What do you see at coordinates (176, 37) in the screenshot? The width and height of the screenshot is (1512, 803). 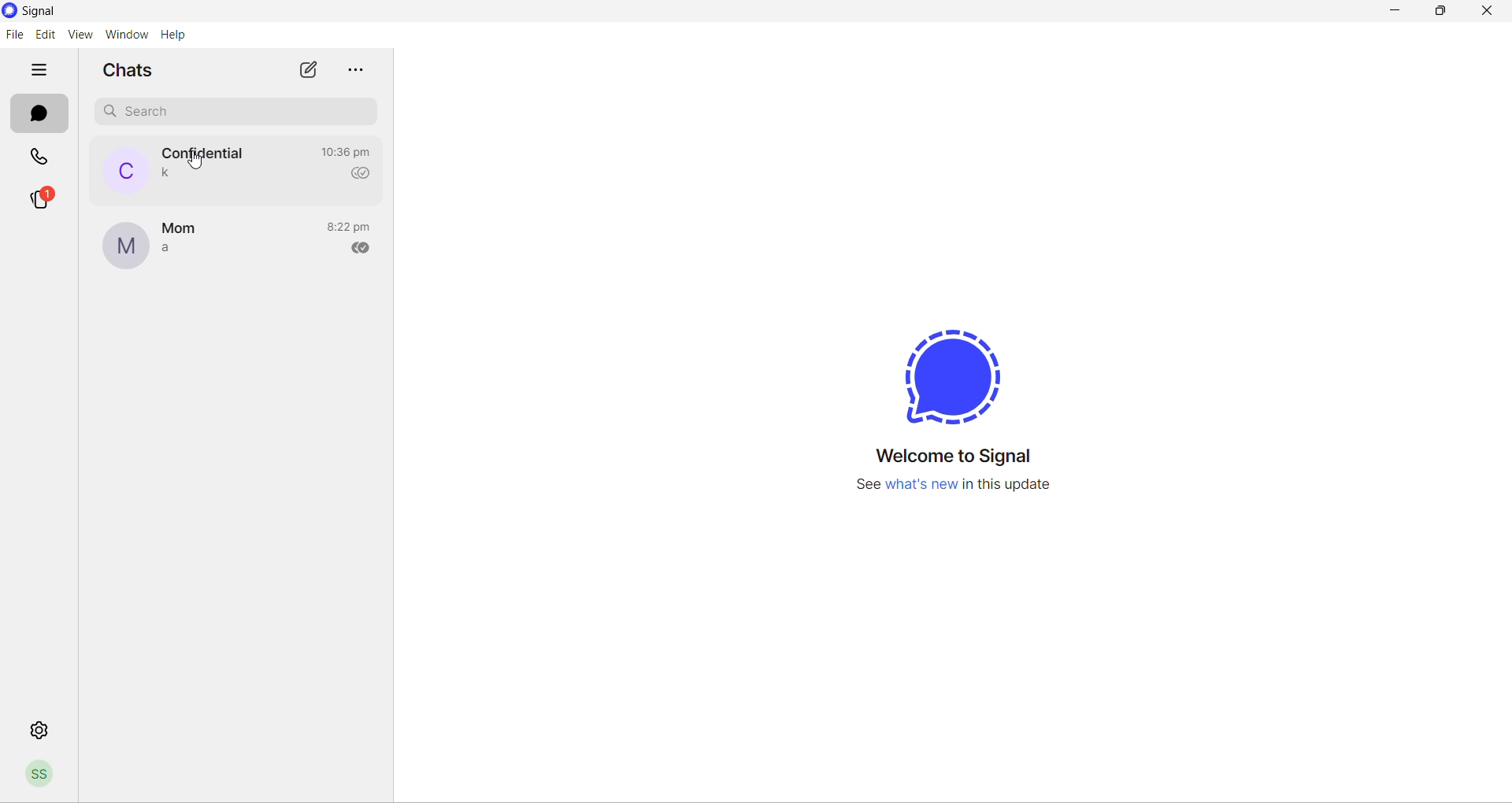 I see `help` at bounding box center [176, 37].